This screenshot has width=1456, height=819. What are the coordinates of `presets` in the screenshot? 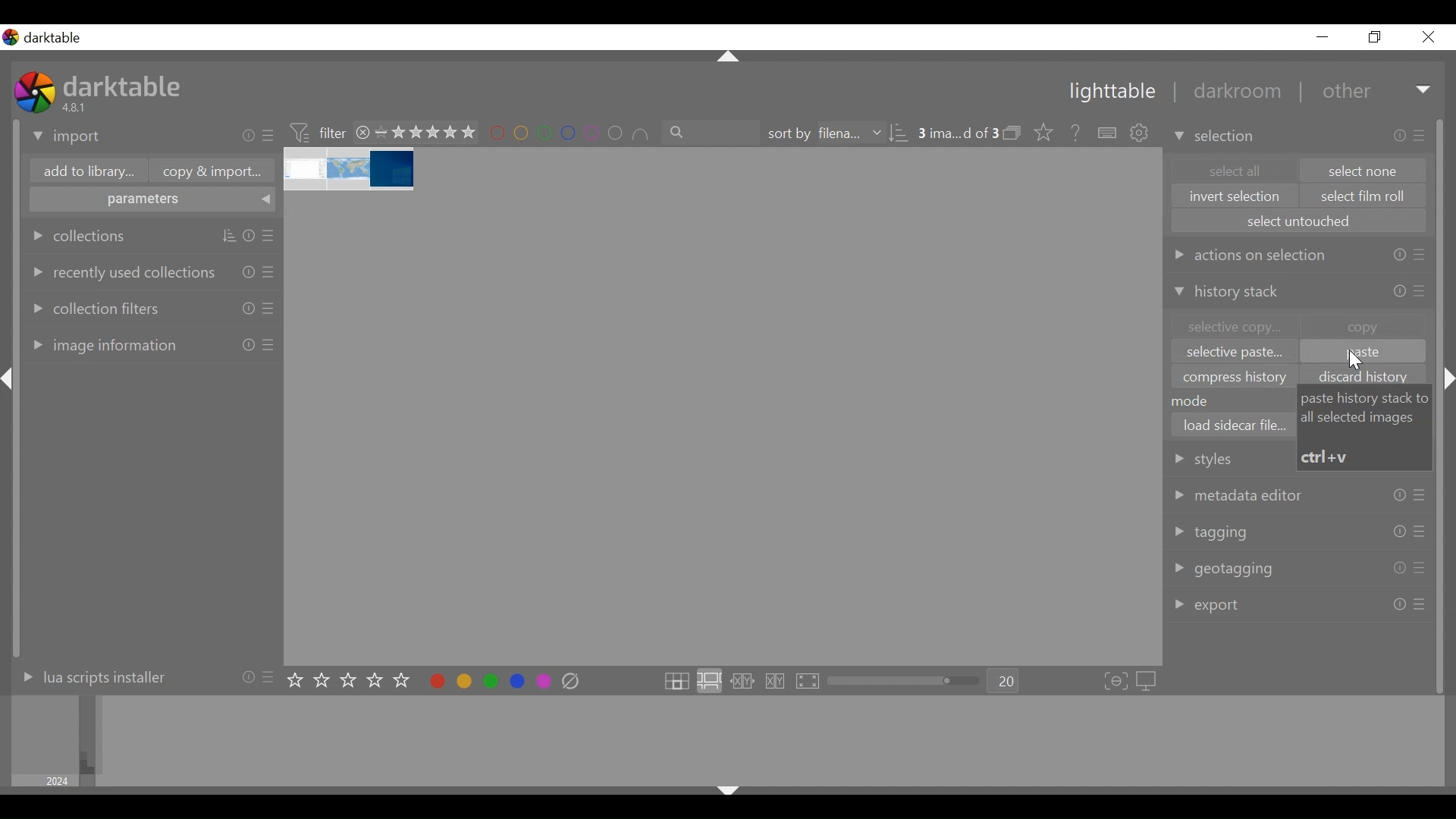 It's located at (1422, 134).